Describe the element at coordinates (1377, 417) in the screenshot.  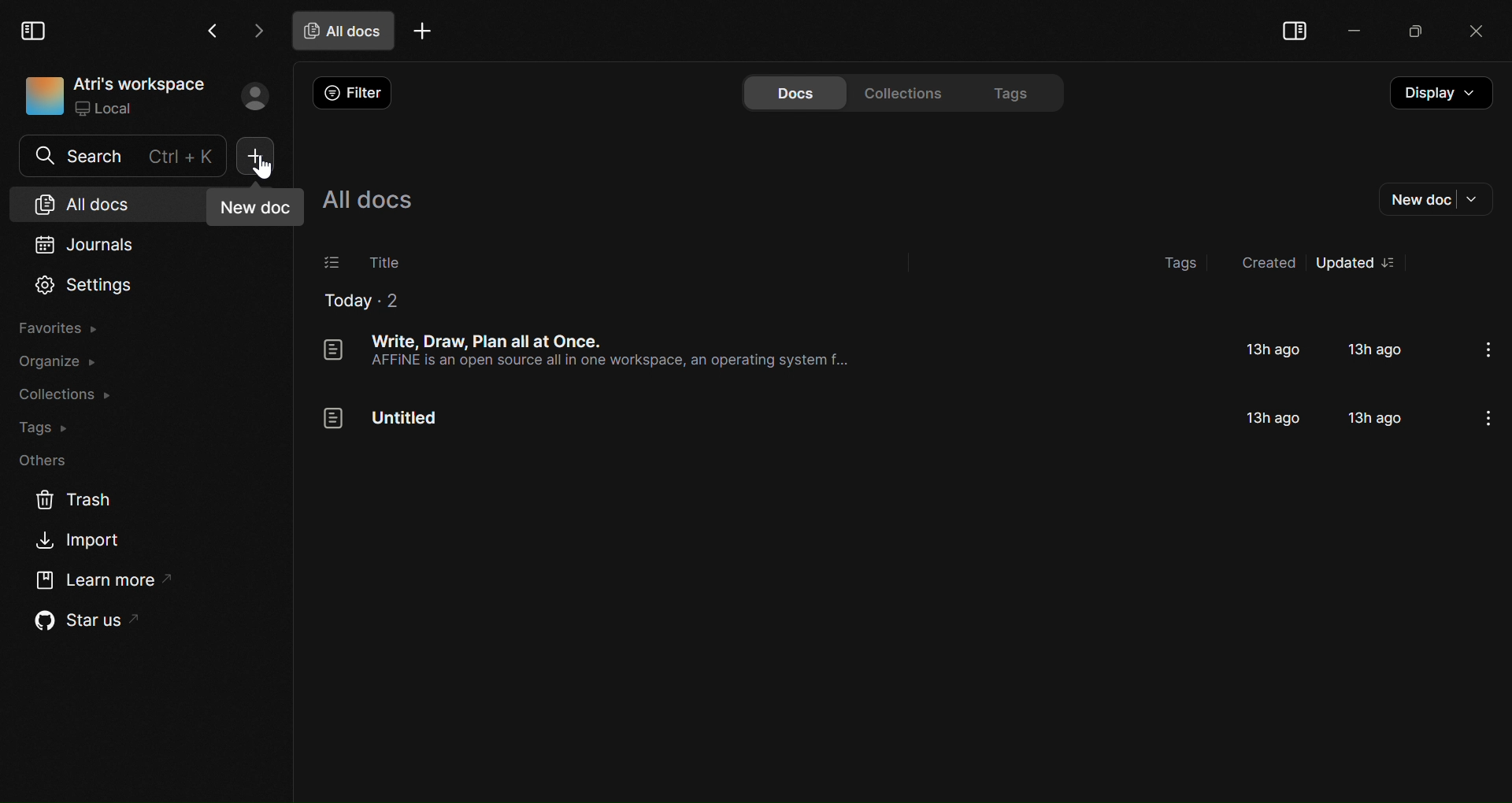
I see `13h ago` at that location.